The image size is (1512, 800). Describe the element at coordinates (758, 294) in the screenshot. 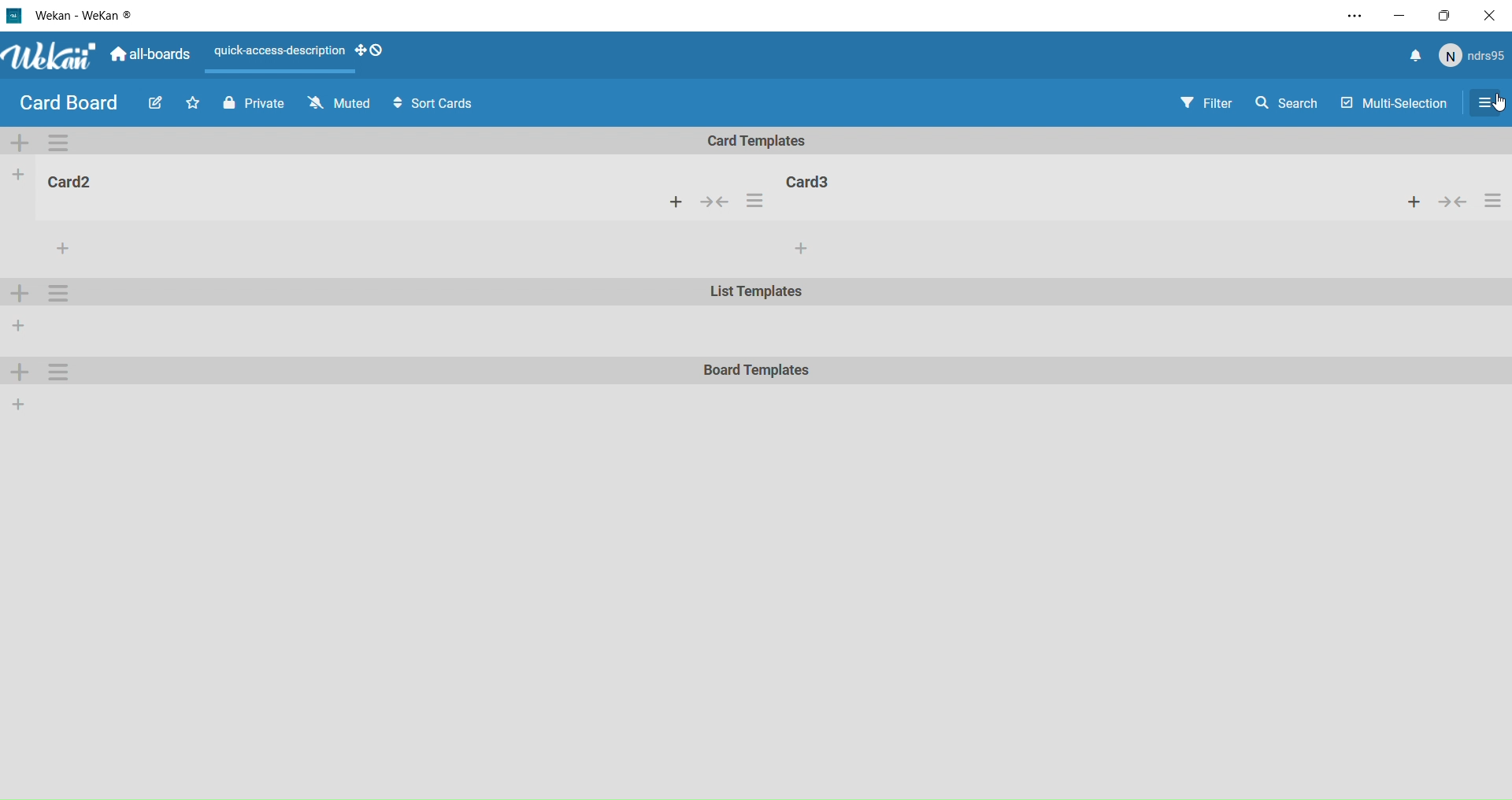

I see `List Templates` at that location.